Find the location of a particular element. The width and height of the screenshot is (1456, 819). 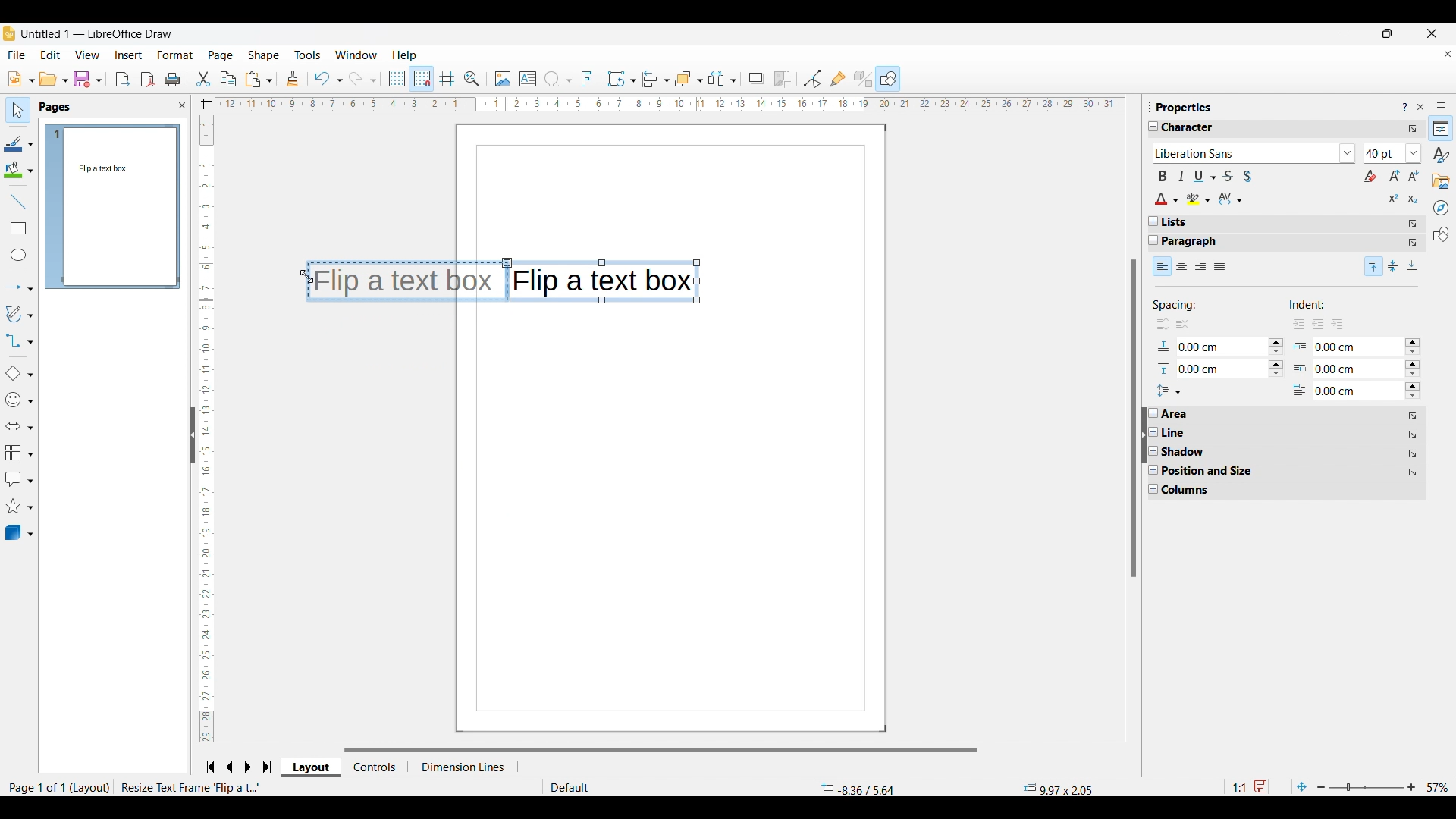

Text color options is located at coordinates (1167, 199).